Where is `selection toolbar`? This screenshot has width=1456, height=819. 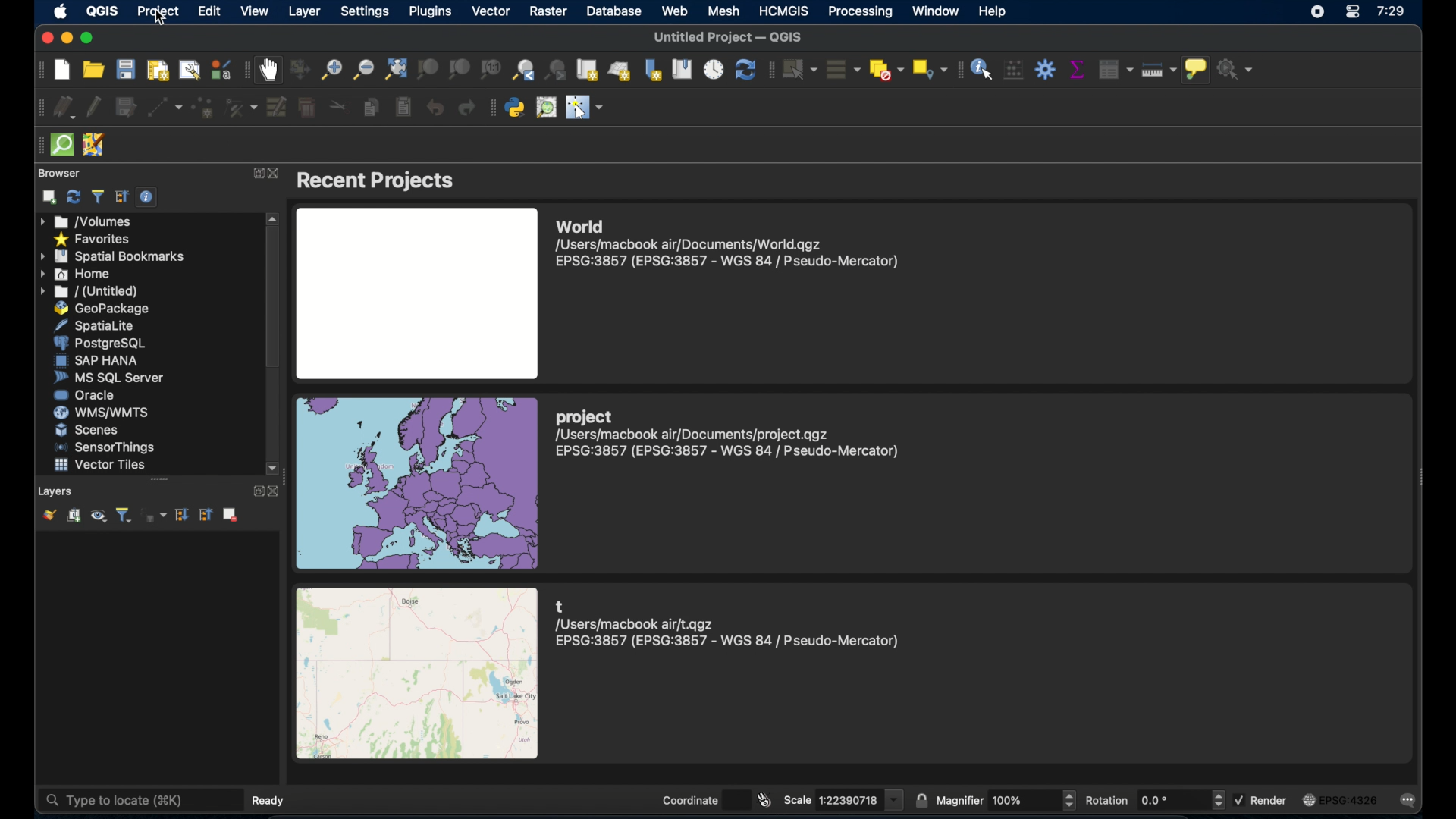
selection toolbar is located at coordinates (770, 71).